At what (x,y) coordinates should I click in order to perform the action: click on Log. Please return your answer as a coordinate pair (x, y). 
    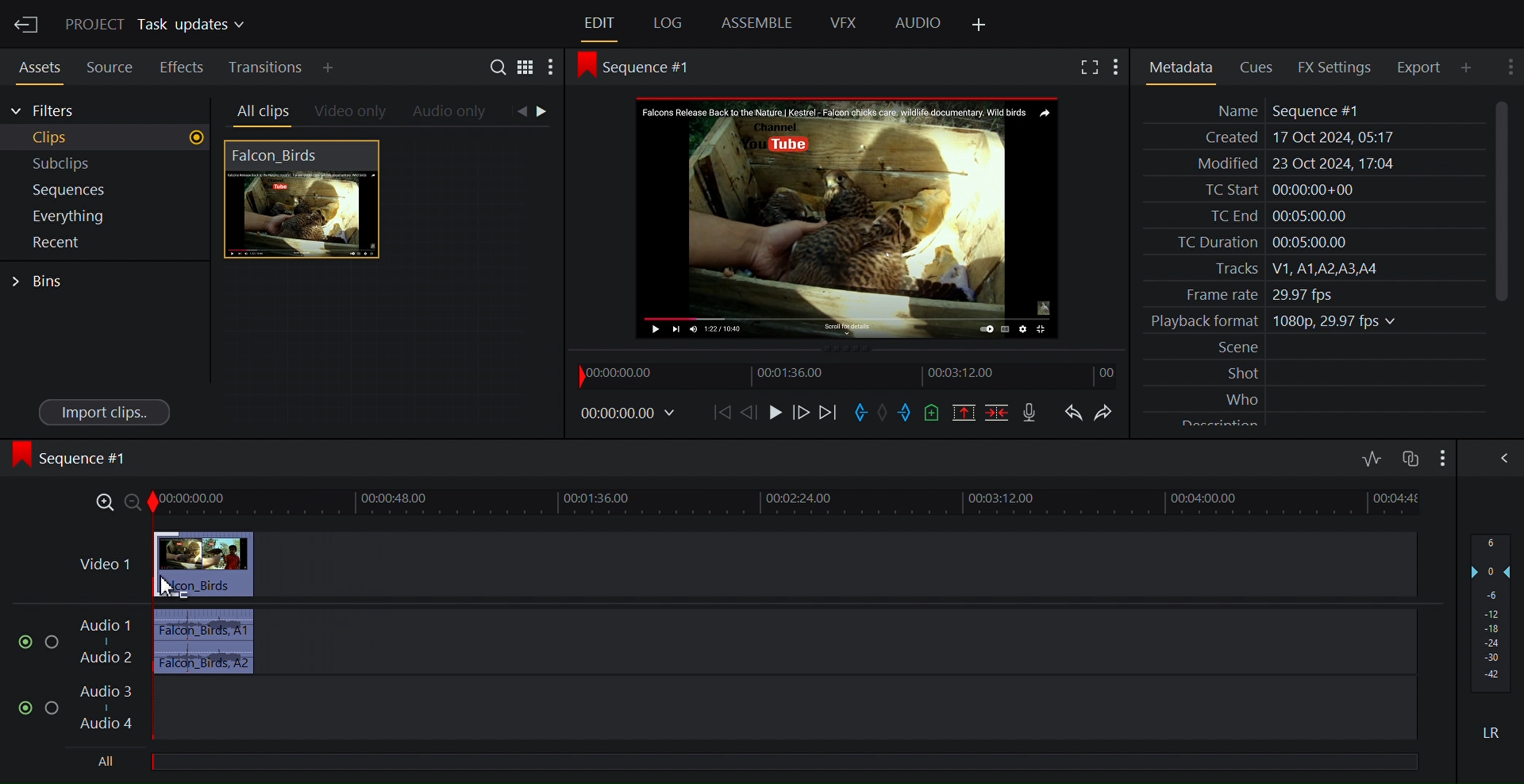
    Looking at the image, I should click on (668, 24).